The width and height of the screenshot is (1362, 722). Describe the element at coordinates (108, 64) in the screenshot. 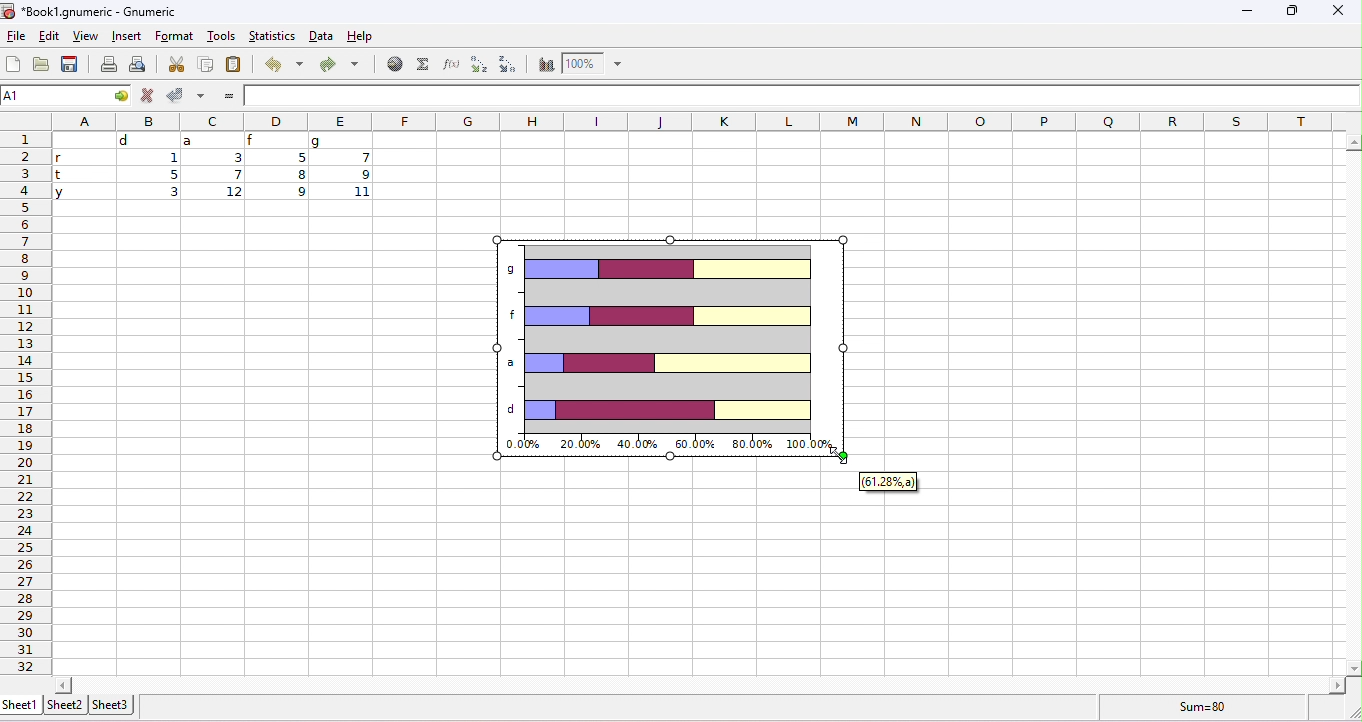

I see `print` at that location.